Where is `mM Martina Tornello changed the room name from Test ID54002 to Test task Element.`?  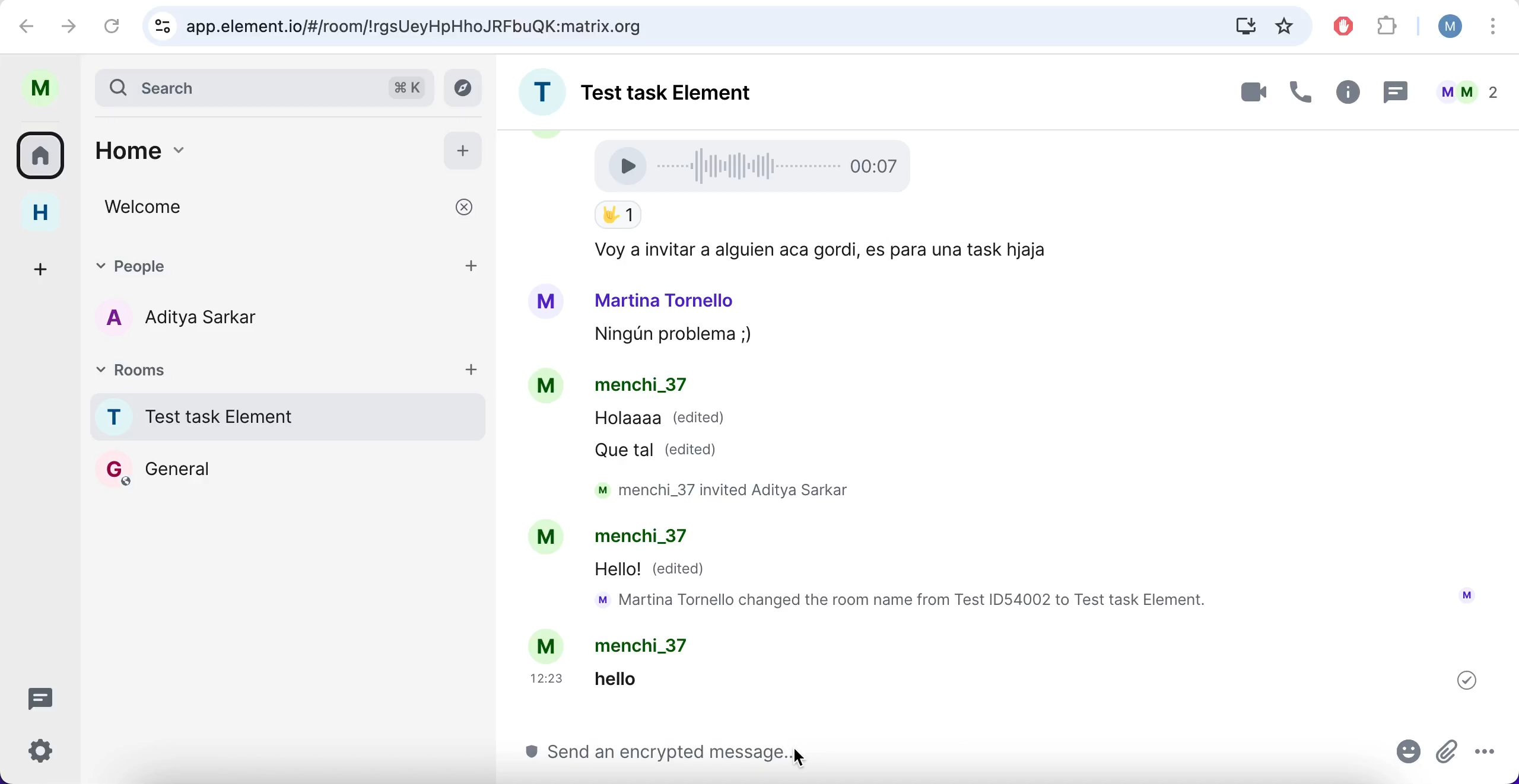 mM Martina Tornello changed the room name from Test ID54002 to Test task Element. is located at coordinates (907, 601).